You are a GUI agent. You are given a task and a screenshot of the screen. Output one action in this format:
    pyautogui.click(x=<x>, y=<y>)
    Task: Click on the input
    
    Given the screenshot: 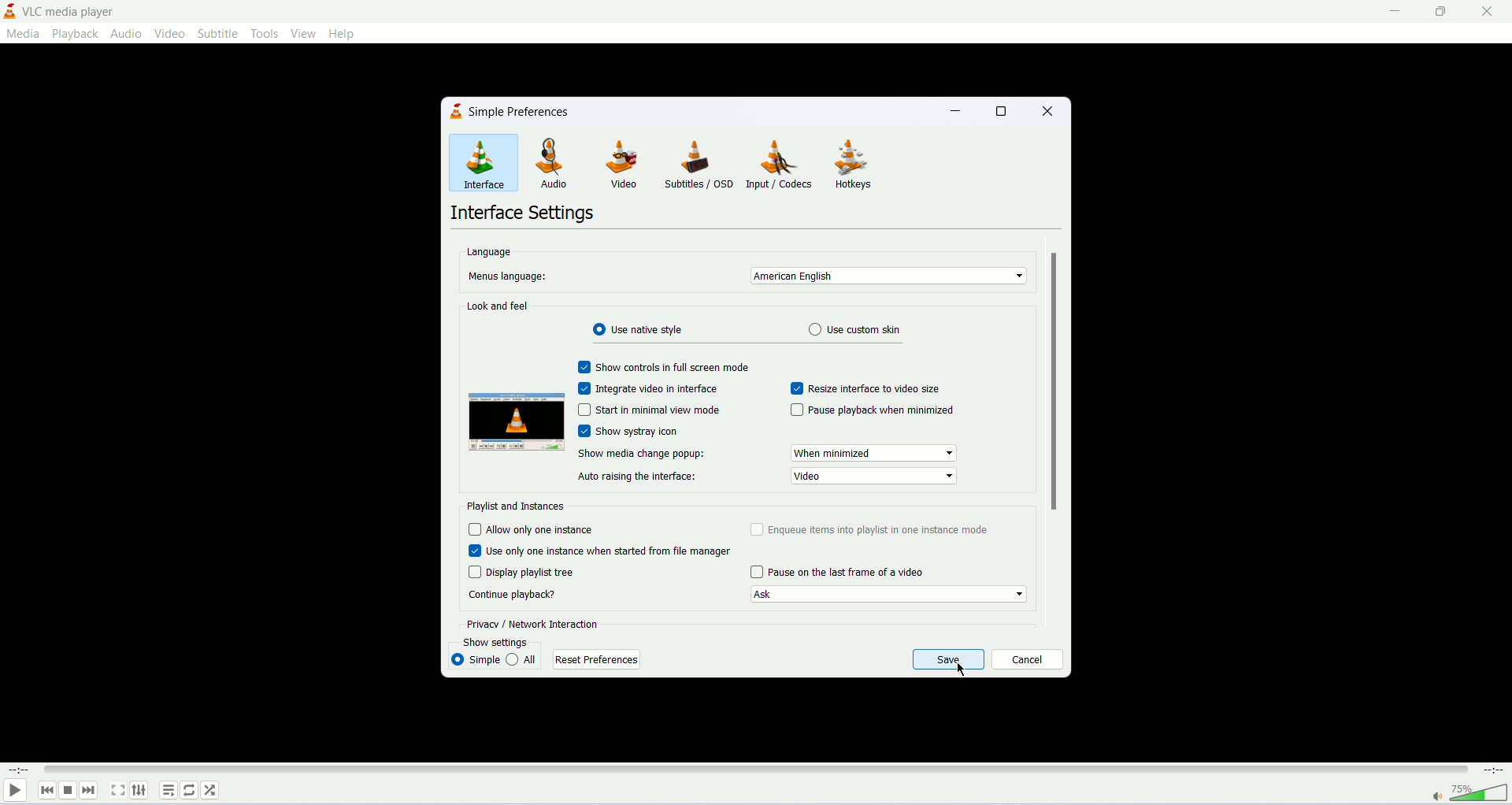 What is the action you would take?
    pyautogui.click(x=783, y=163)
    